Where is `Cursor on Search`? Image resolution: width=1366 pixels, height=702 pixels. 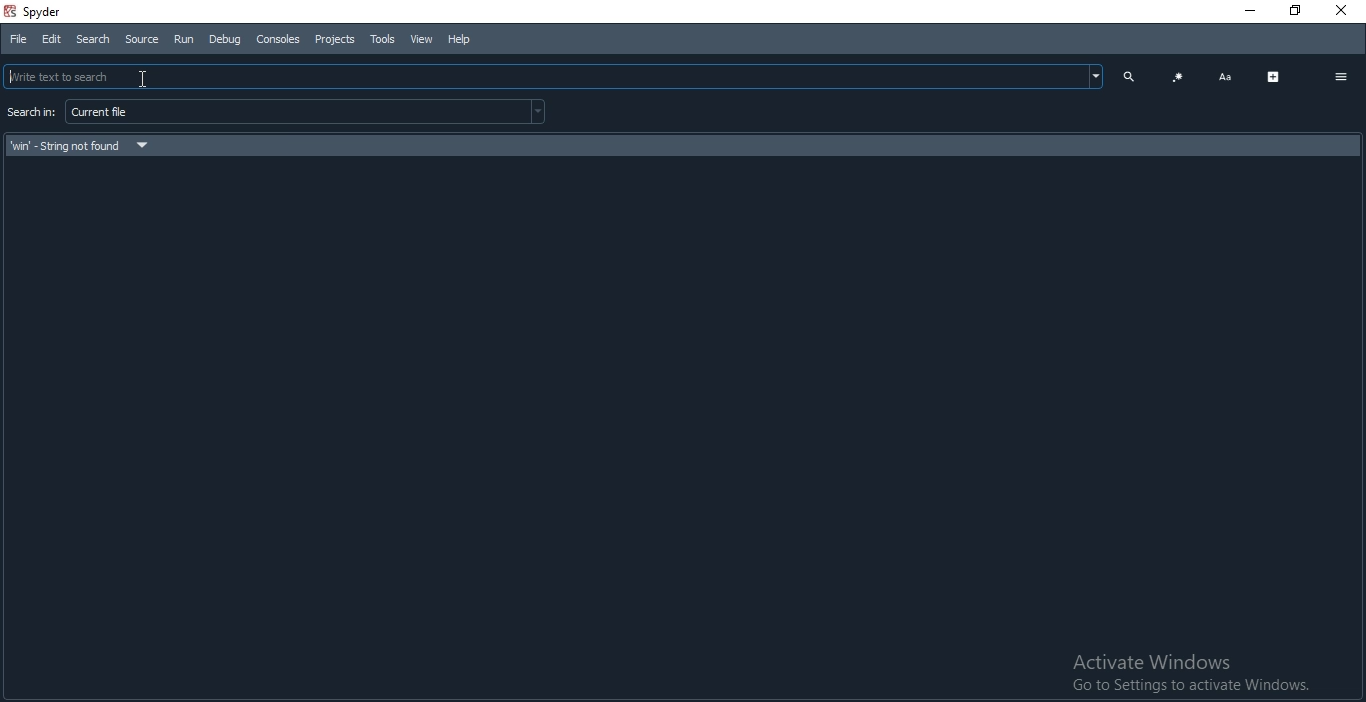
Cursor on Search is located at coordinates (143, 79).